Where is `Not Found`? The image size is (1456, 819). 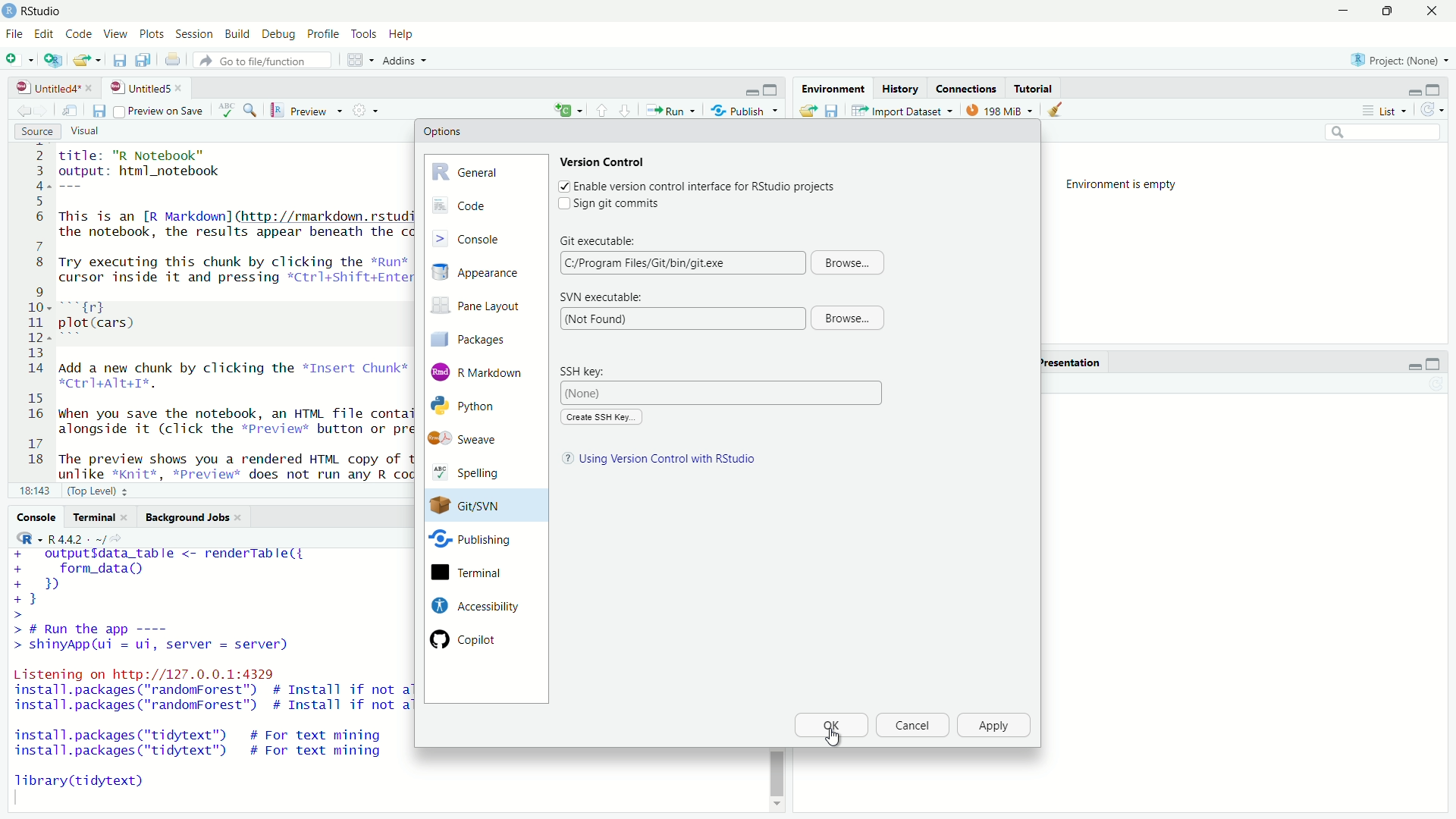
Not Found is located at coordinates (680, 318).